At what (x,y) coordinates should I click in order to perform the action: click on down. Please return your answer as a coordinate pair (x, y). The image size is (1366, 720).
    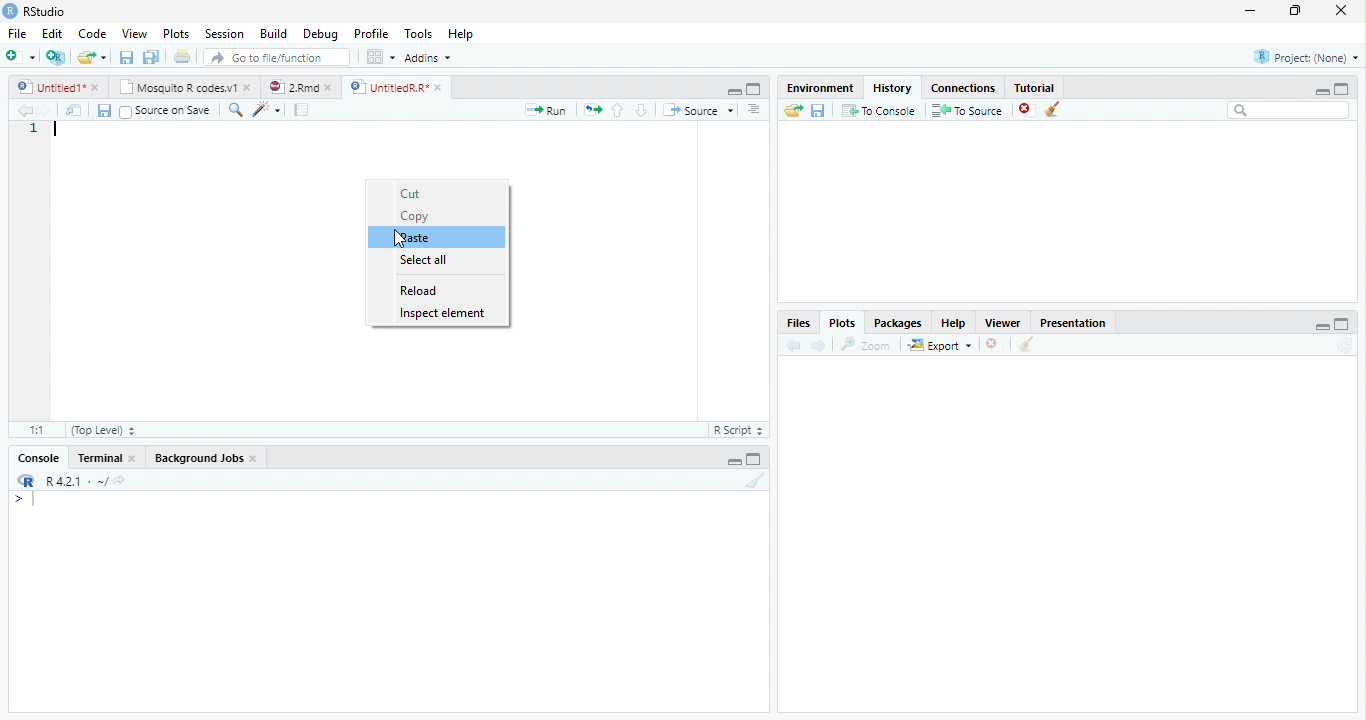
    Looking at the image, I should click on (641, 110).